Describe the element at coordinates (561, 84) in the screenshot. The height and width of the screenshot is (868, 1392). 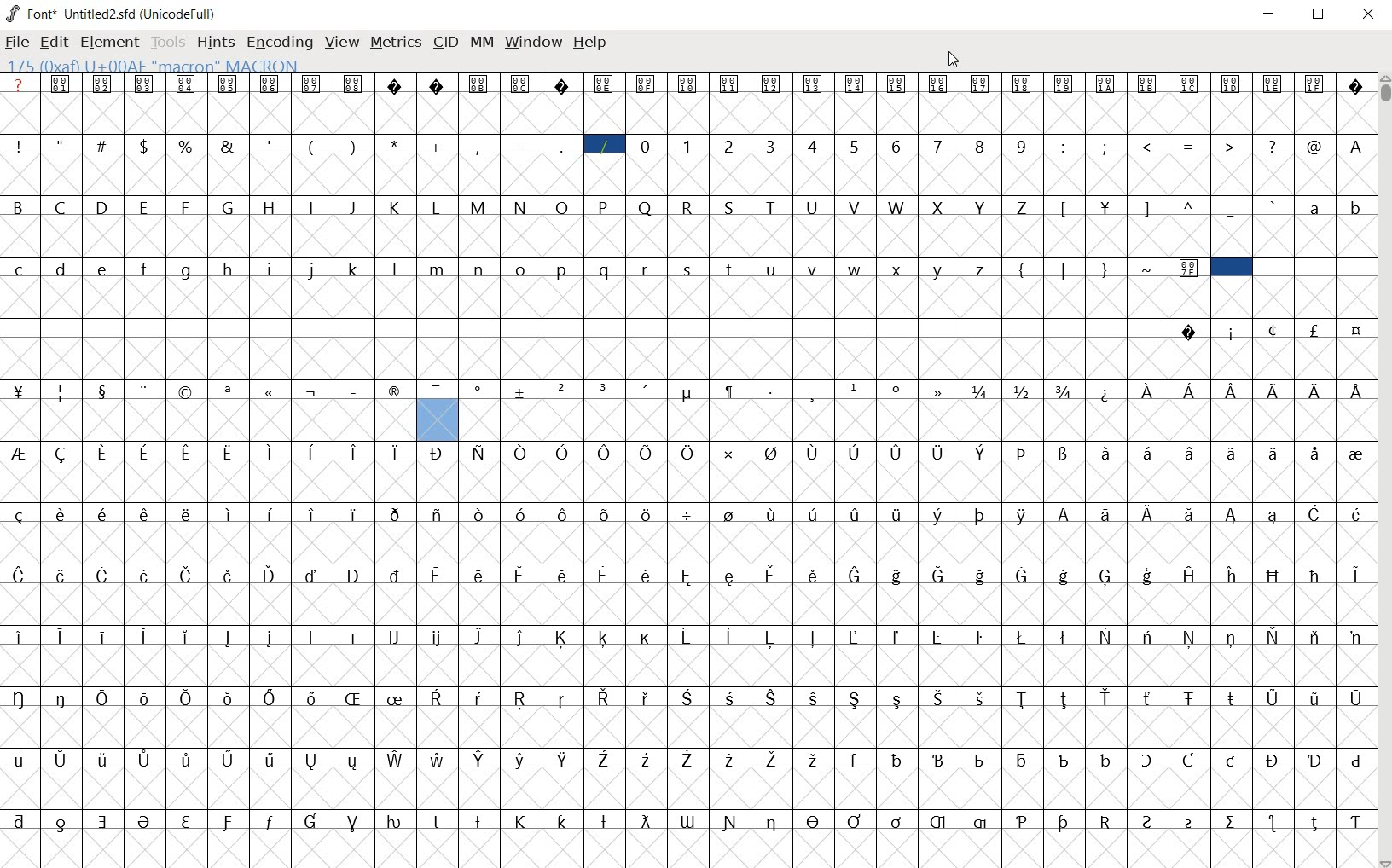
I see `Symbol` at that location.